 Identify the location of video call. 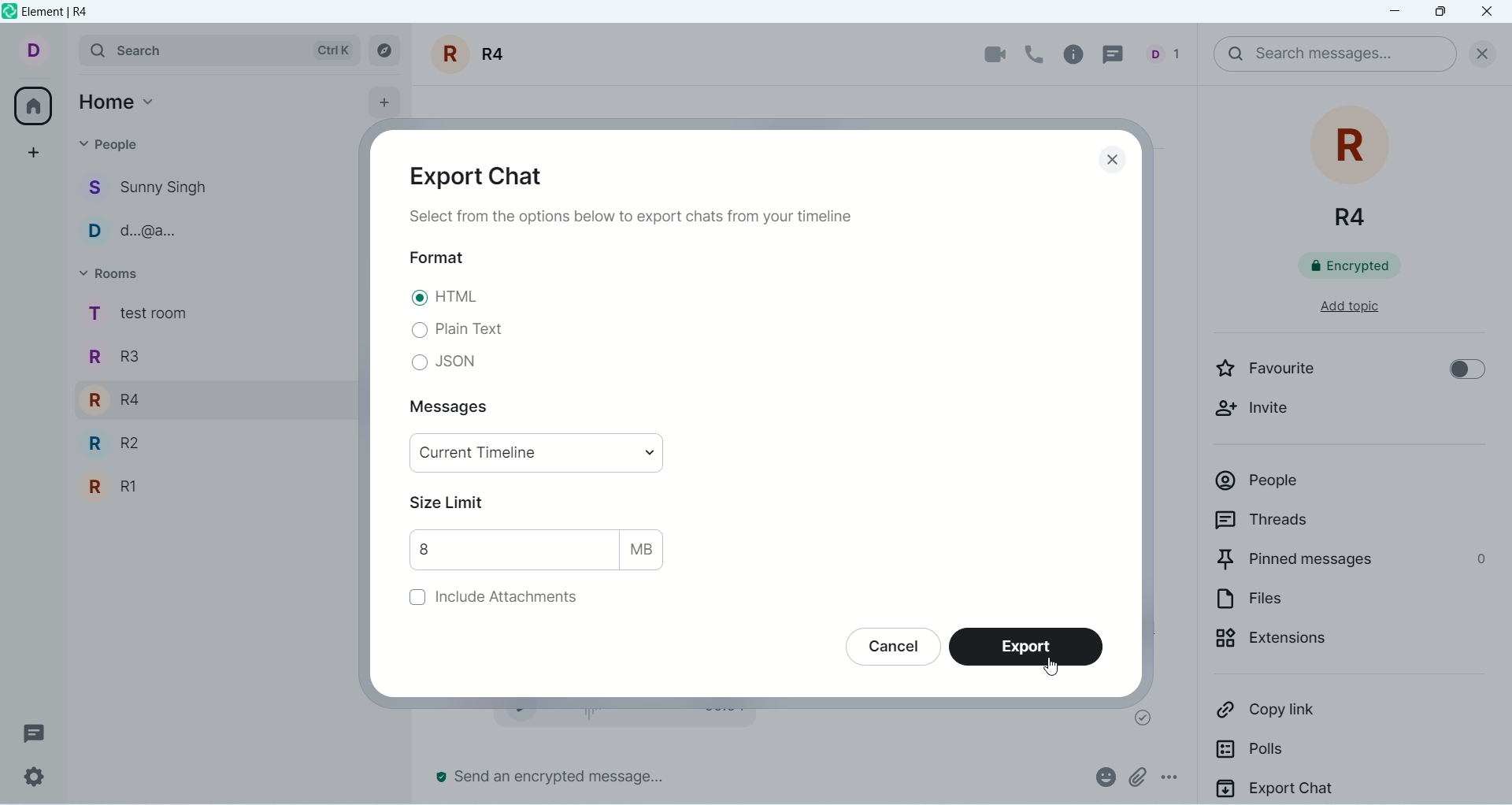
(986, 55).